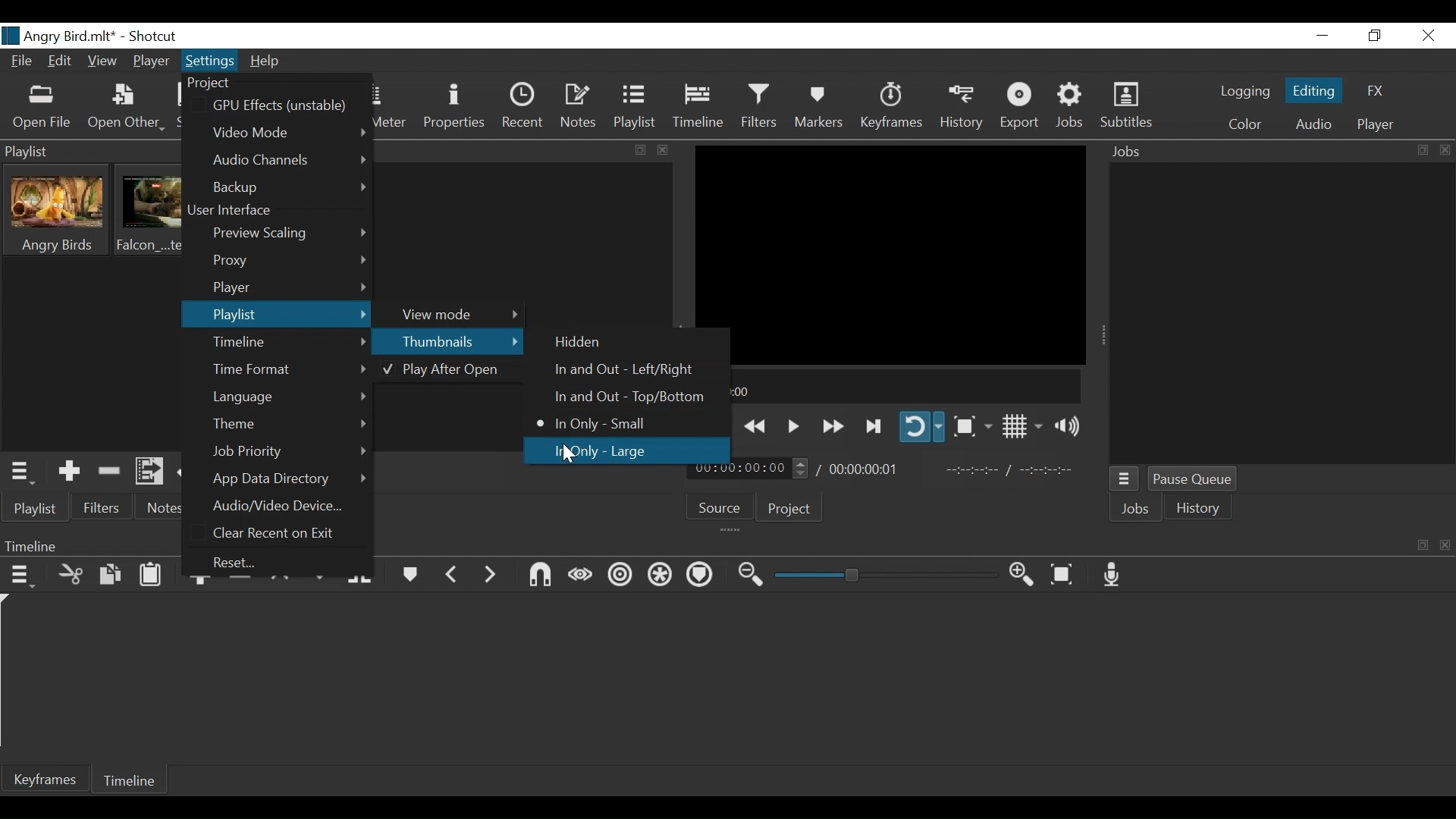 The image size is (1456, 819). I want to click on In and Out -Left/Right, so click(620, 371).